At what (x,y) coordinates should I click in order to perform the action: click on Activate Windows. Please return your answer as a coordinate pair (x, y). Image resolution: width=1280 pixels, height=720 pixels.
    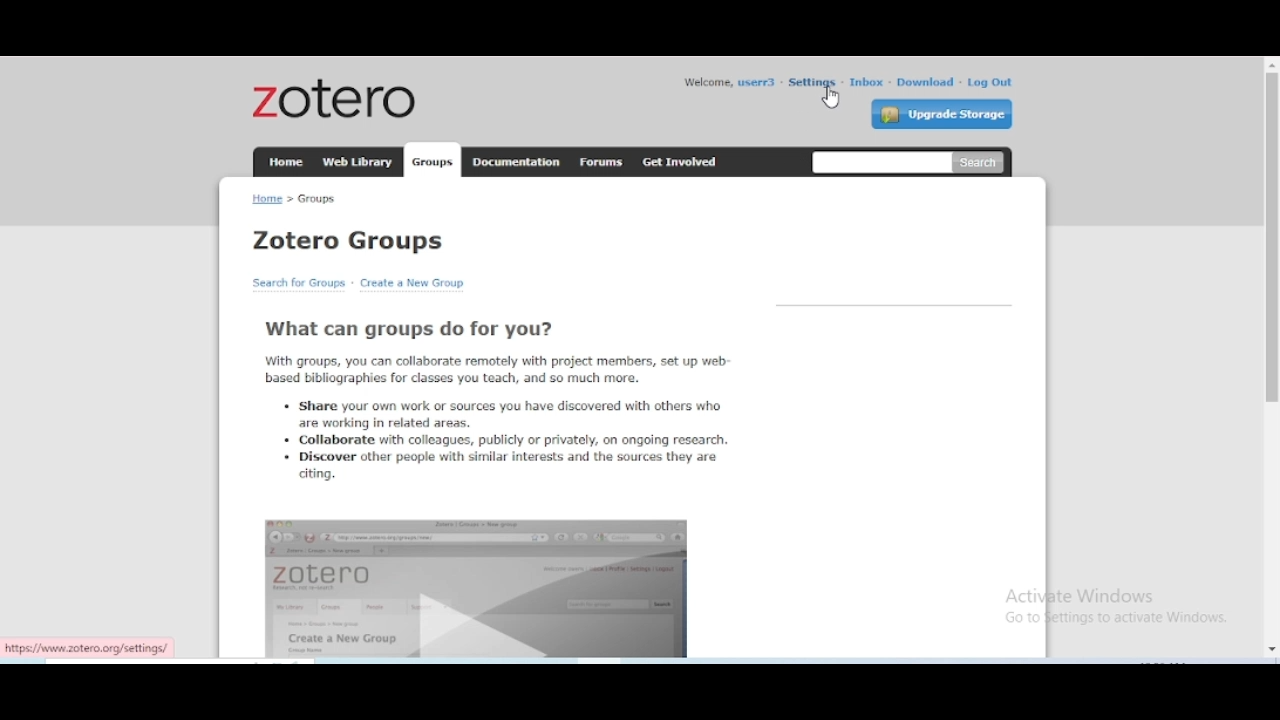
    Looking at the image, I should click on (1087, 596).